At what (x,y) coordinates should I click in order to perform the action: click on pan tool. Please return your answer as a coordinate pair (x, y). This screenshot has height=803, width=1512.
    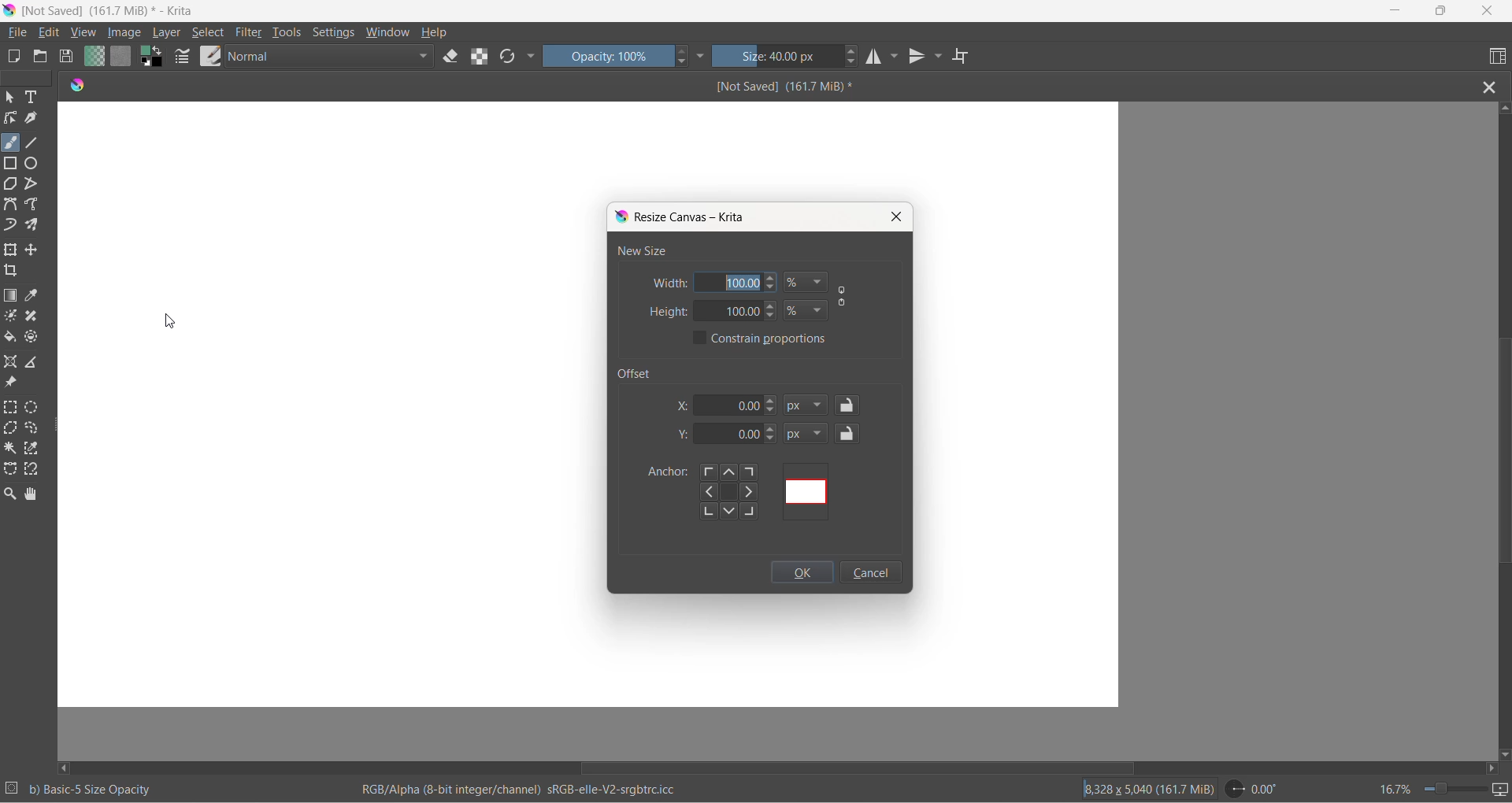
    Looking at the image, I should click on (31, 495).